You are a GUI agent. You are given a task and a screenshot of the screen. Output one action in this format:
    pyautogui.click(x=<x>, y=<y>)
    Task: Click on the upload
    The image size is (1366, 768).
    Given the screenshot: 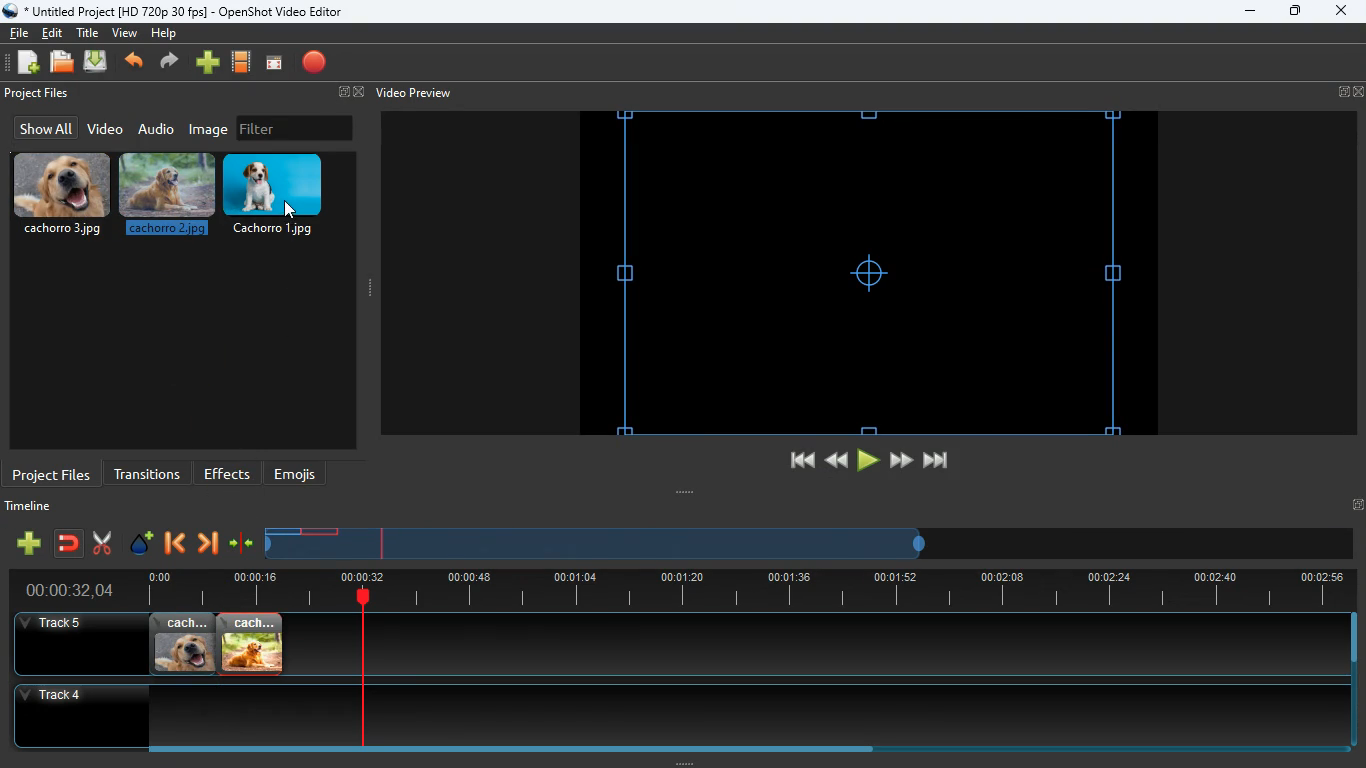 What is the action you would take?
    pyautogui.click(x=98, y=63)
    